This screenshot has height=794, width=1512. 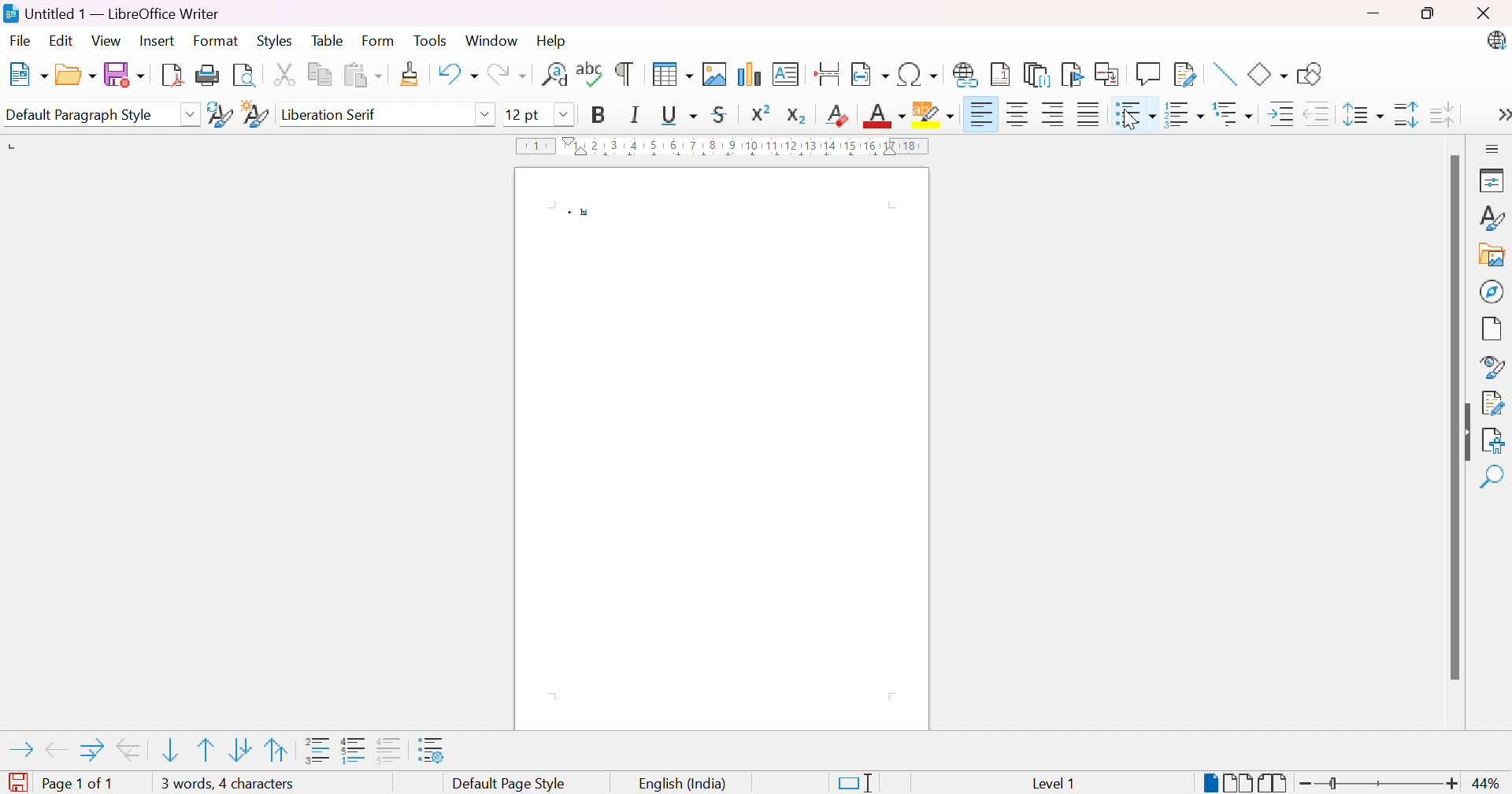 I want to click on File, so click(x=23, y=42).